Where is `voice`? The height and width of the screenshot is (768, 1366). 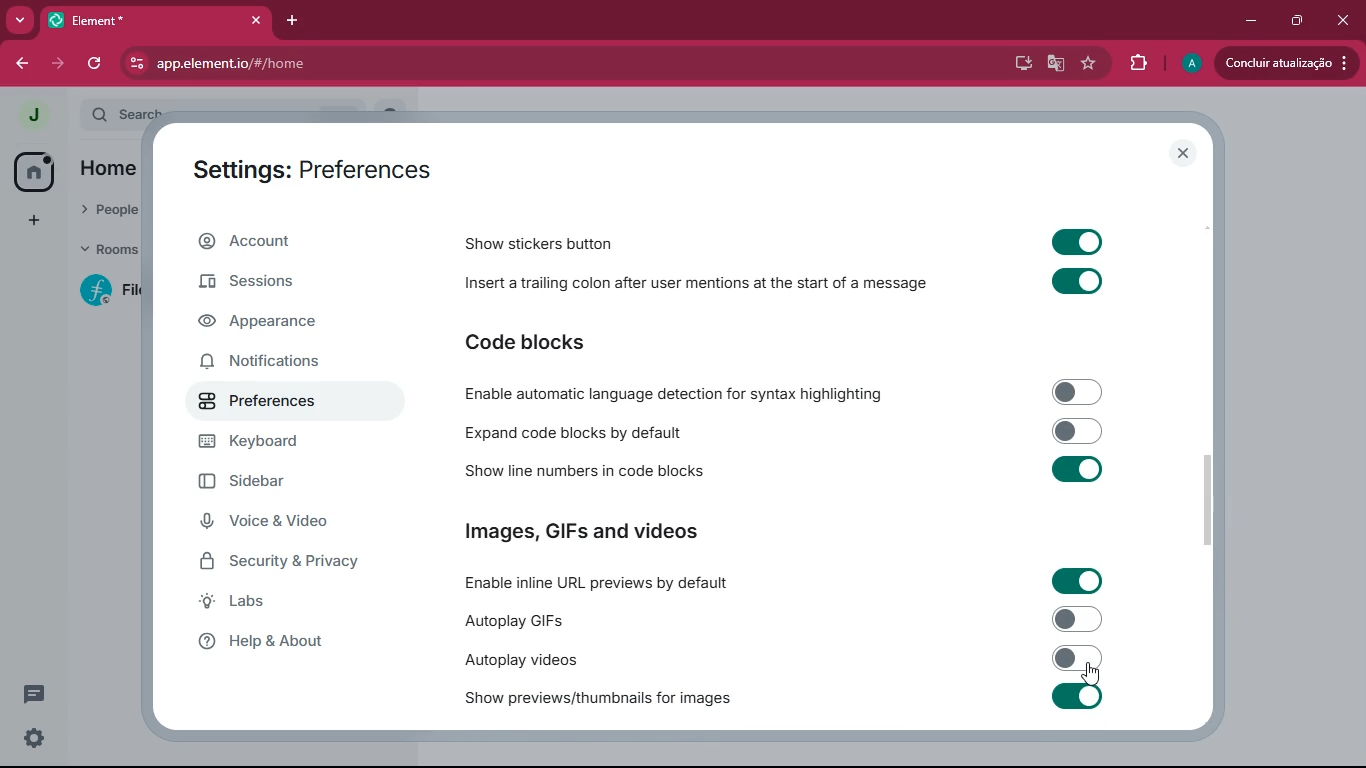 voice is located at coordinates (284, 524).